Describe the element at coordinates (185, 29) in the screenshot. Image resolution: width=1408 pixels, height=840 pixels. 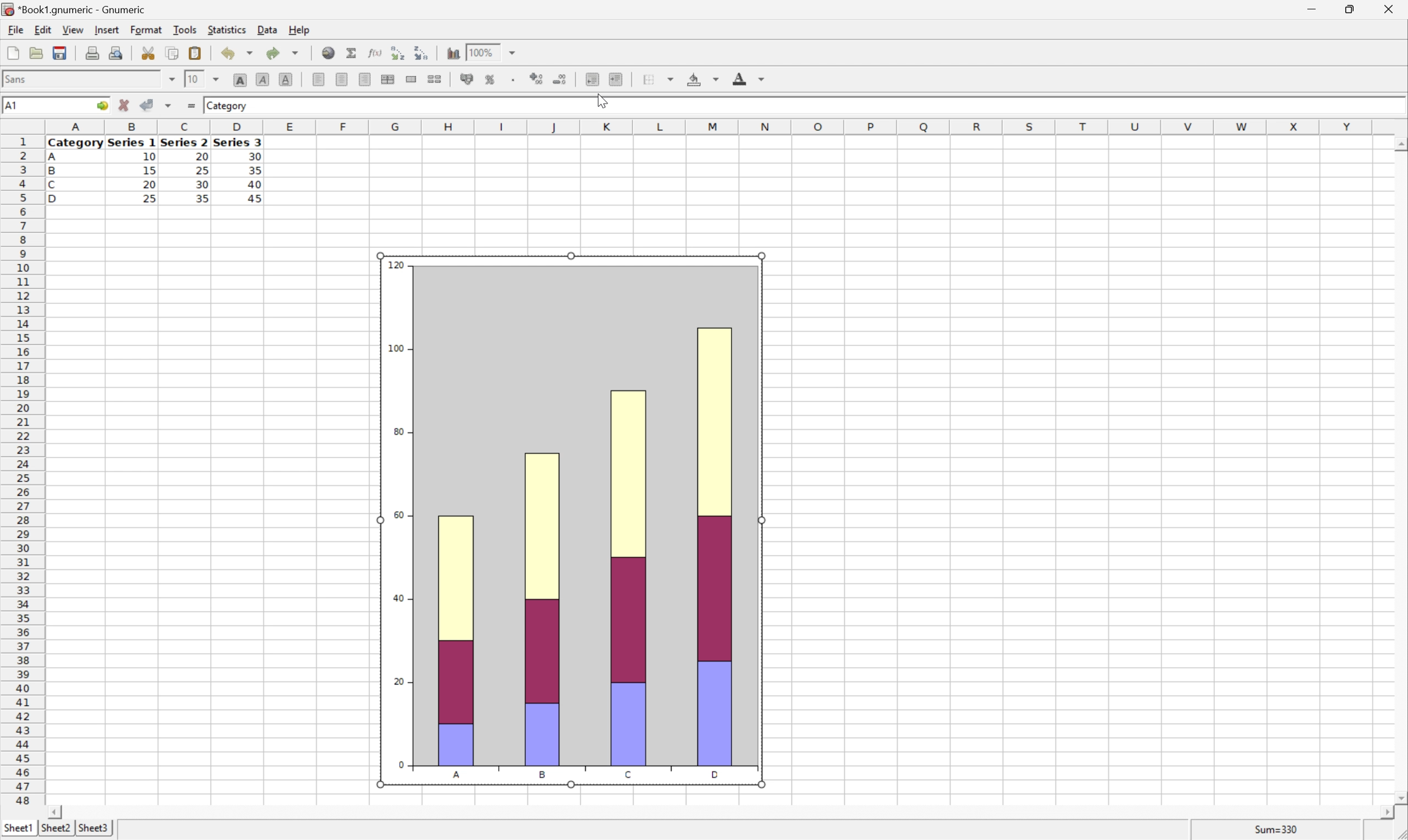
I see `Tools` at that location.